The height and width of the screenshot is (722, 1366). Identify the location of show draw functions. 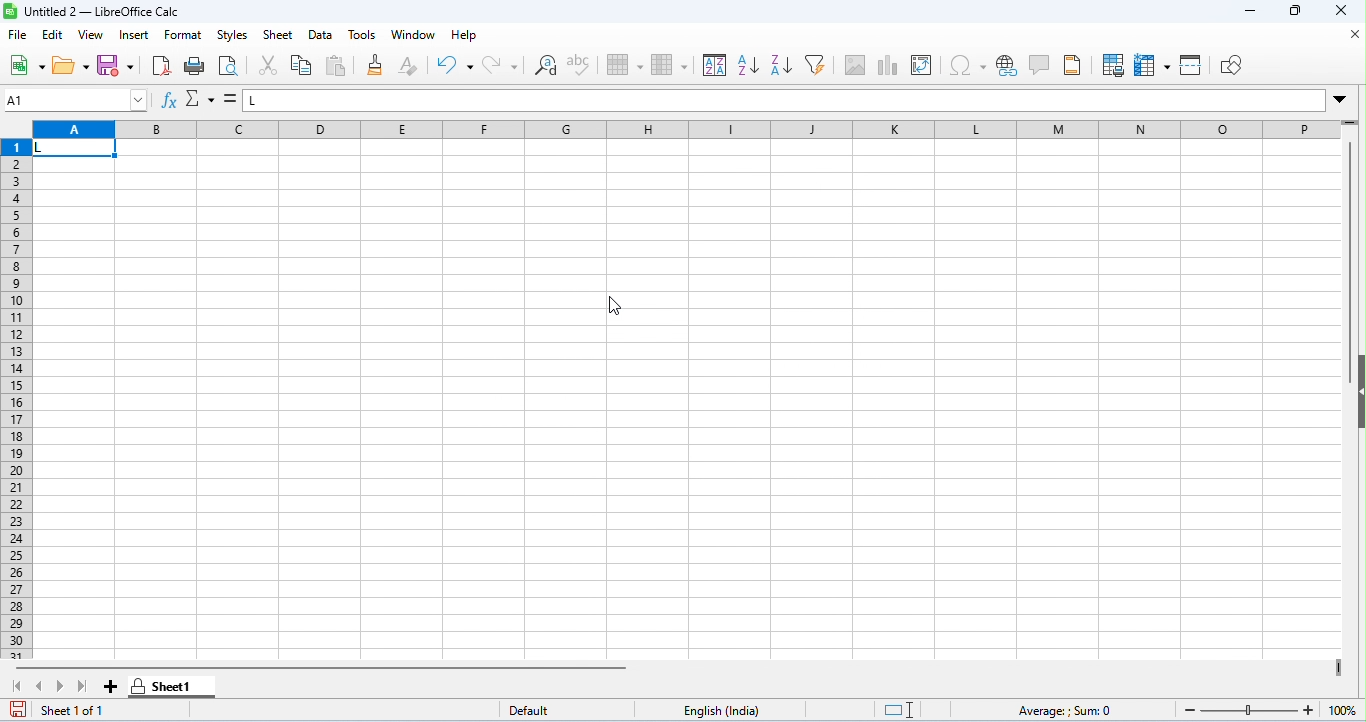
(1235, 68).